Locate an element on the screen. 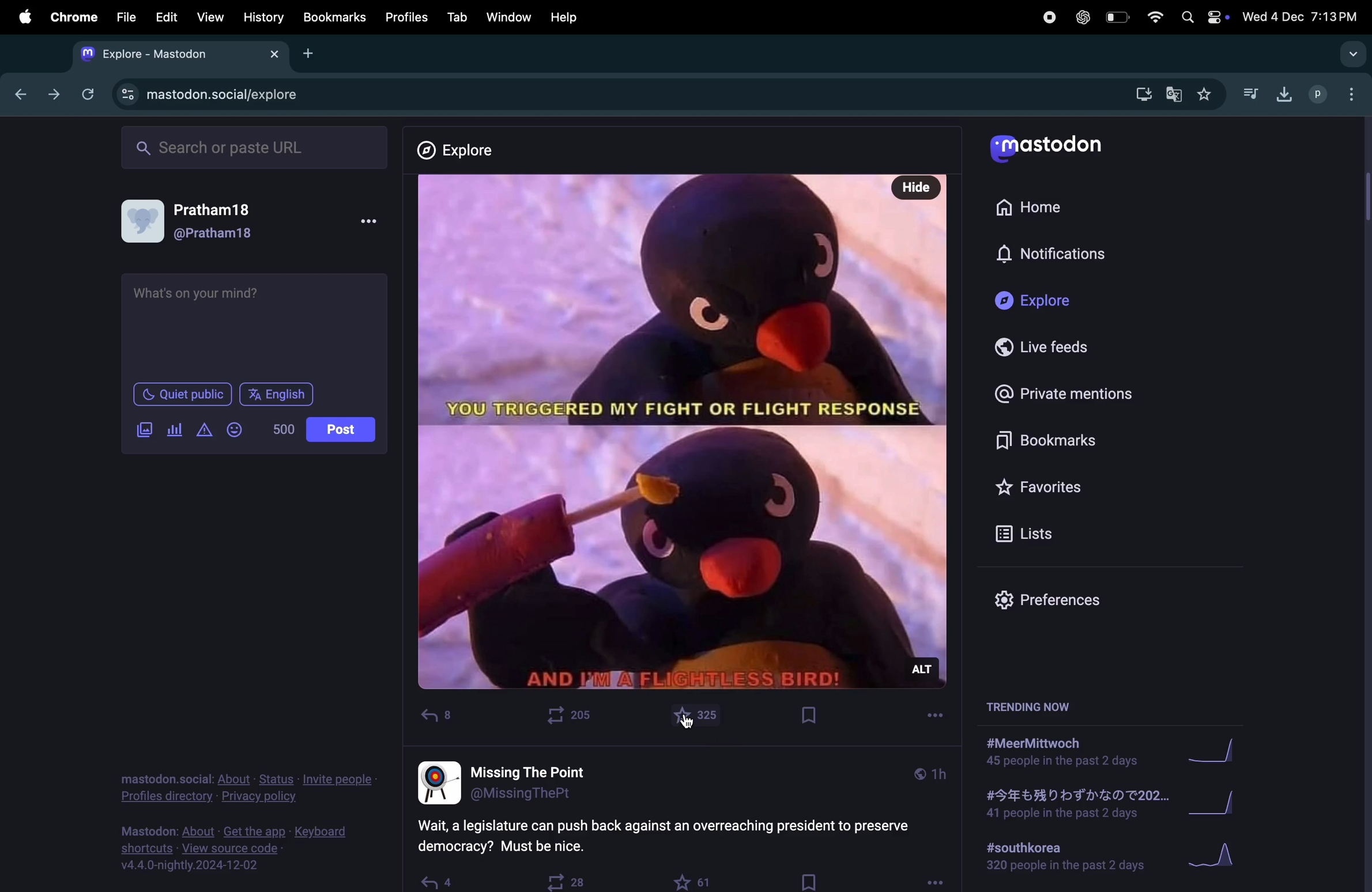 This screenshot has height=892, width=1372. history is located at coordinates (262, 16).